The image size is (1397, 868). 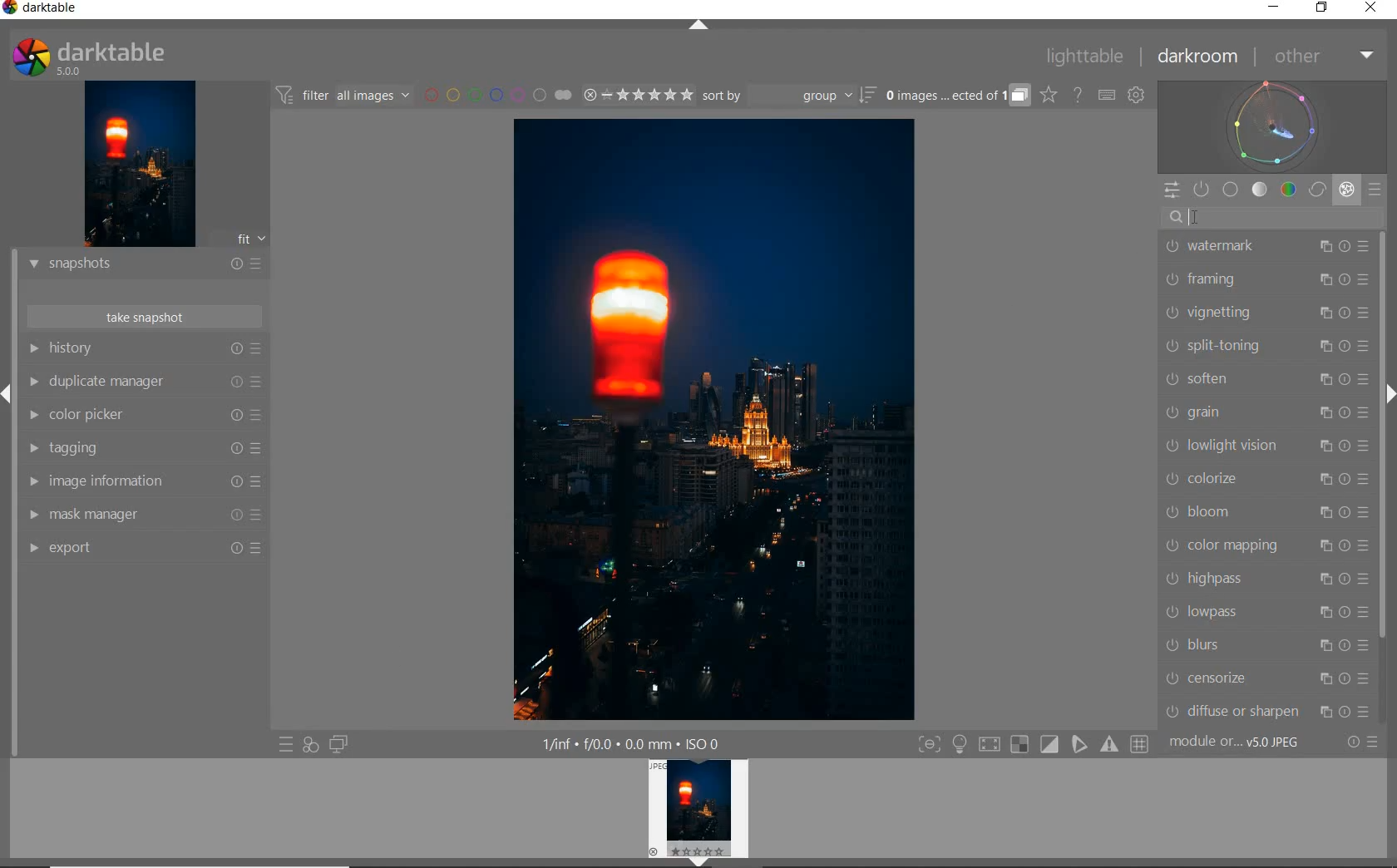 What do you see at coordinates (1319, 477) in the screenshot?
I see `Multiple instance` at bounding box center [1319, 477].